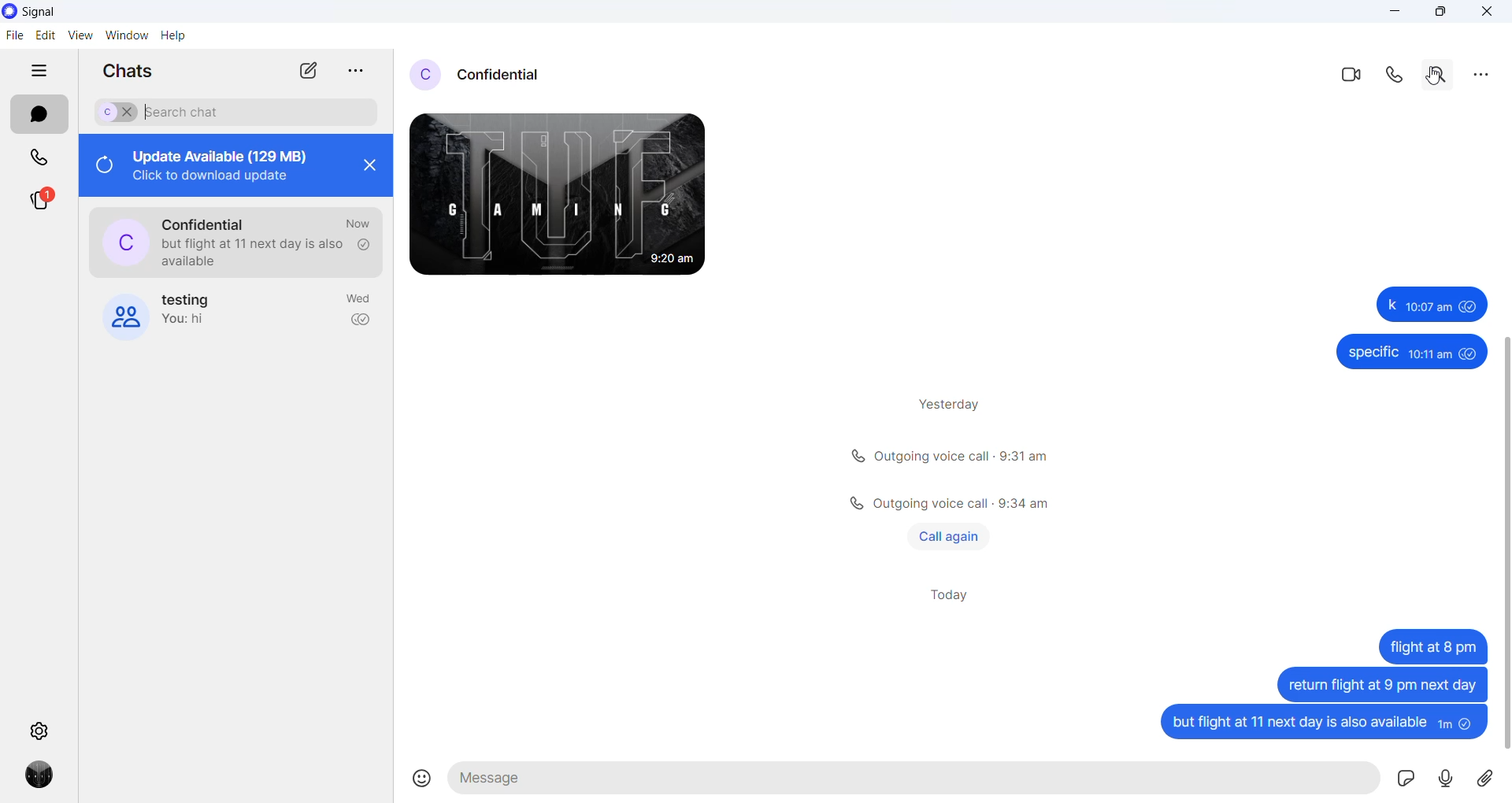  I want to click on last message, so click(257, 253).